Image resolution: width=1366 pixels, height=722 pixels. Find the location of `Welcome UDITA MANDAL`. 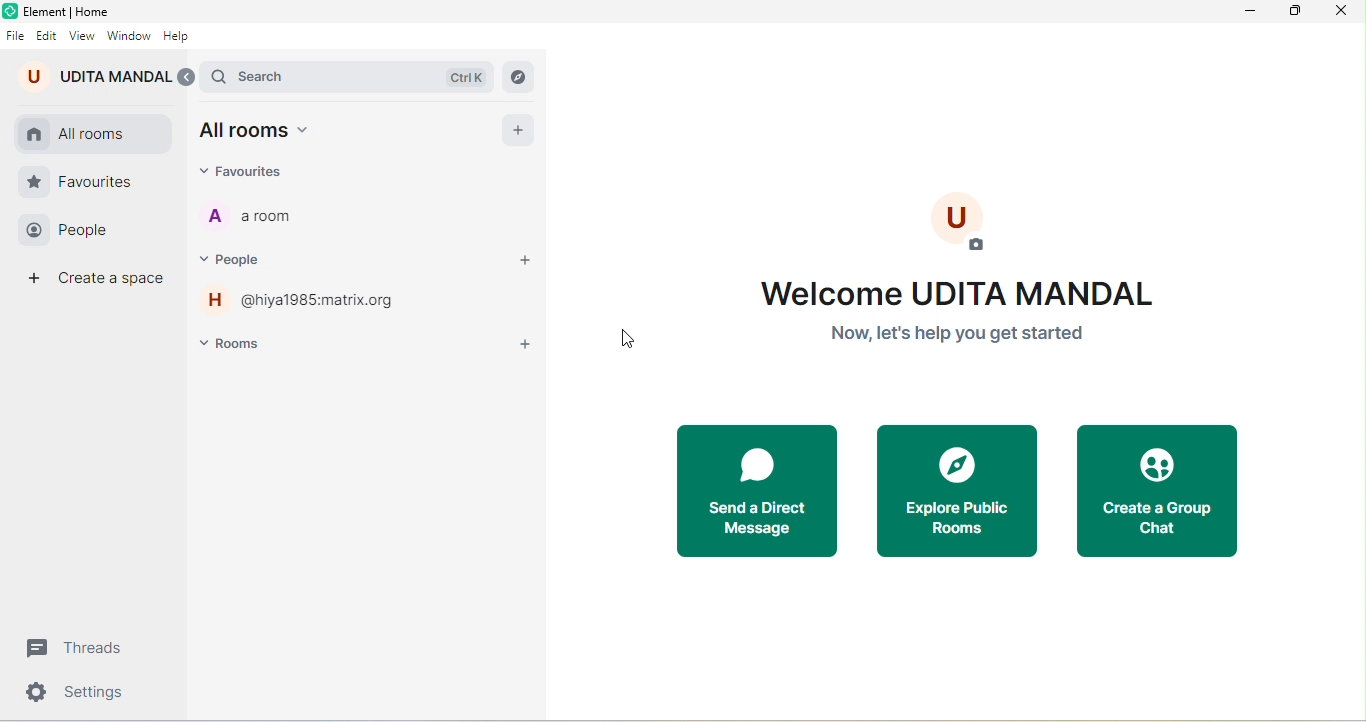

Welcome UDITA MANDAL is located at coordinates (964, 290).